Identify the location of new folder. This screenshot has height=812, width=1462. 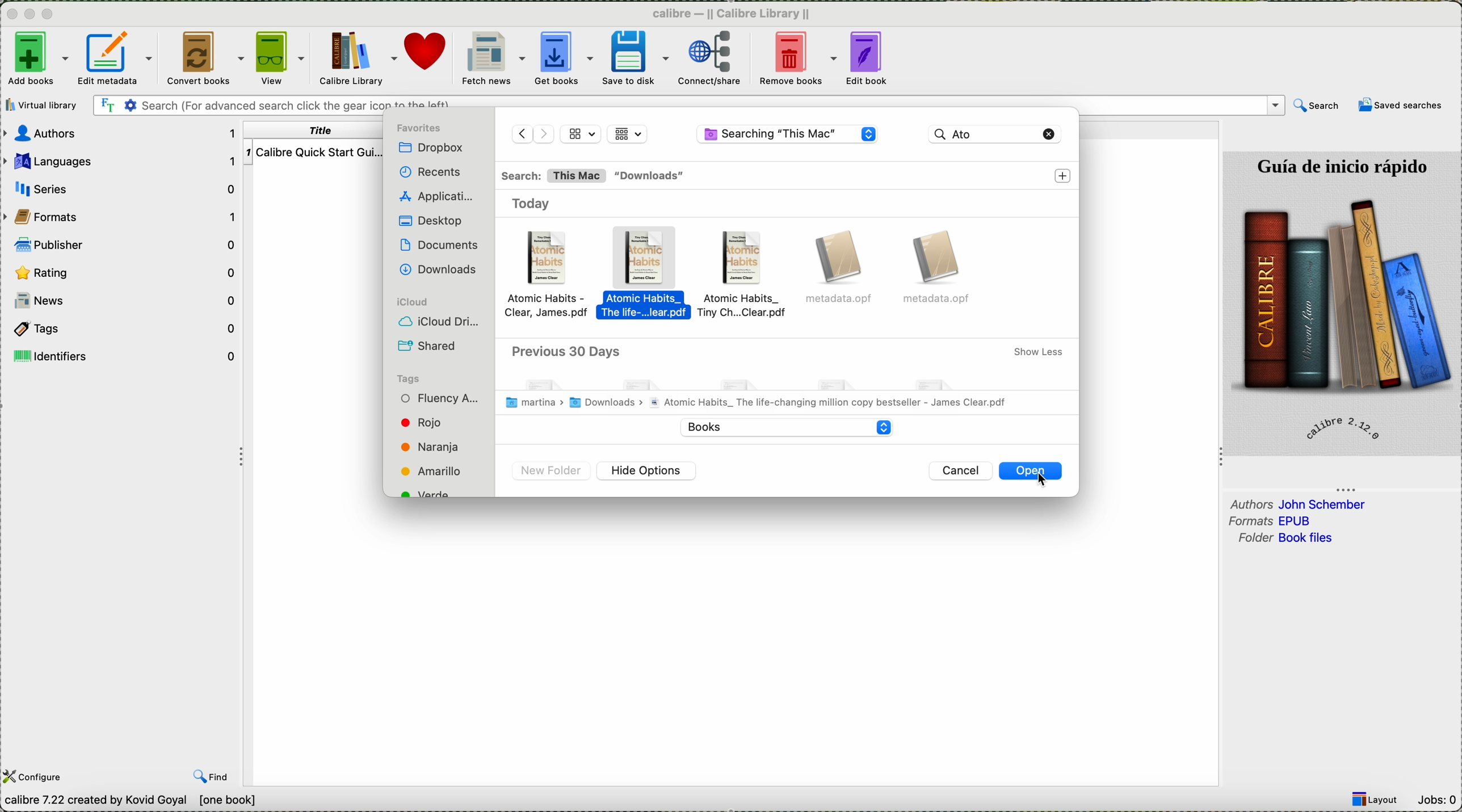
(552, 472).